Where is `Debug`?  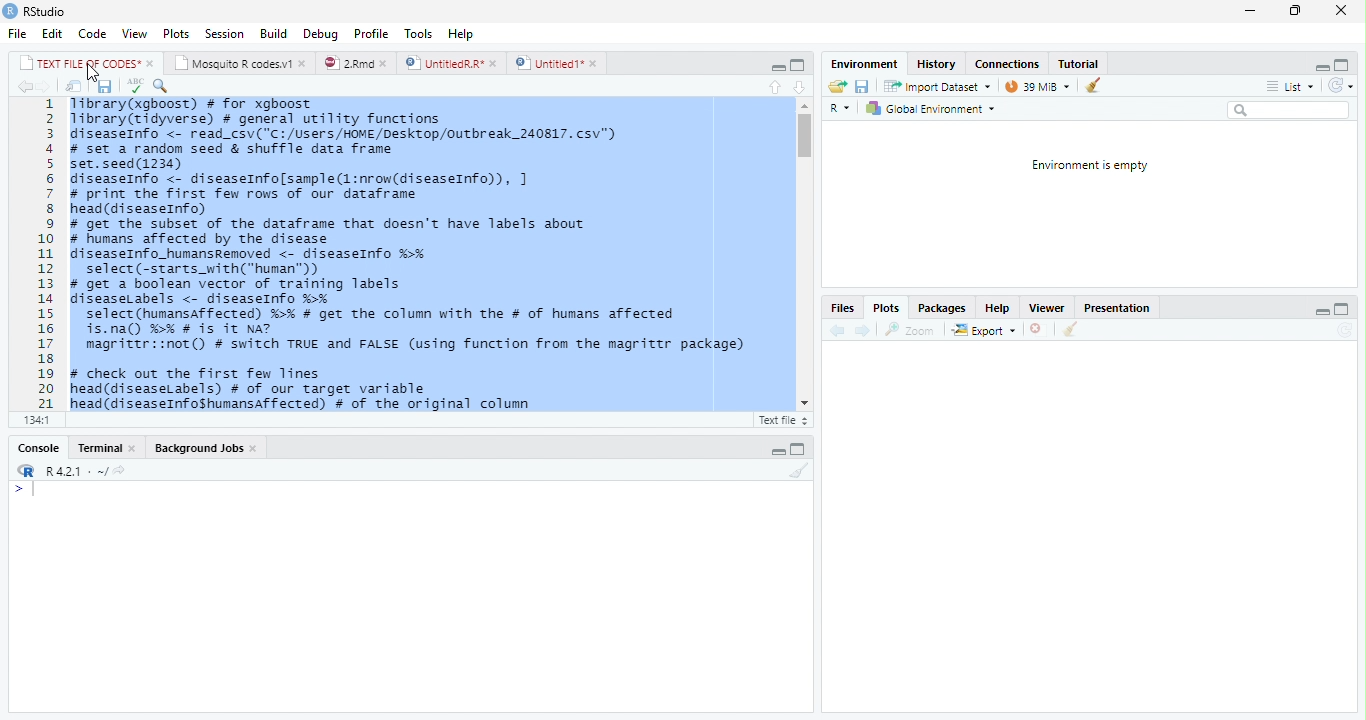
Debug is located at coordinates (319, 35).